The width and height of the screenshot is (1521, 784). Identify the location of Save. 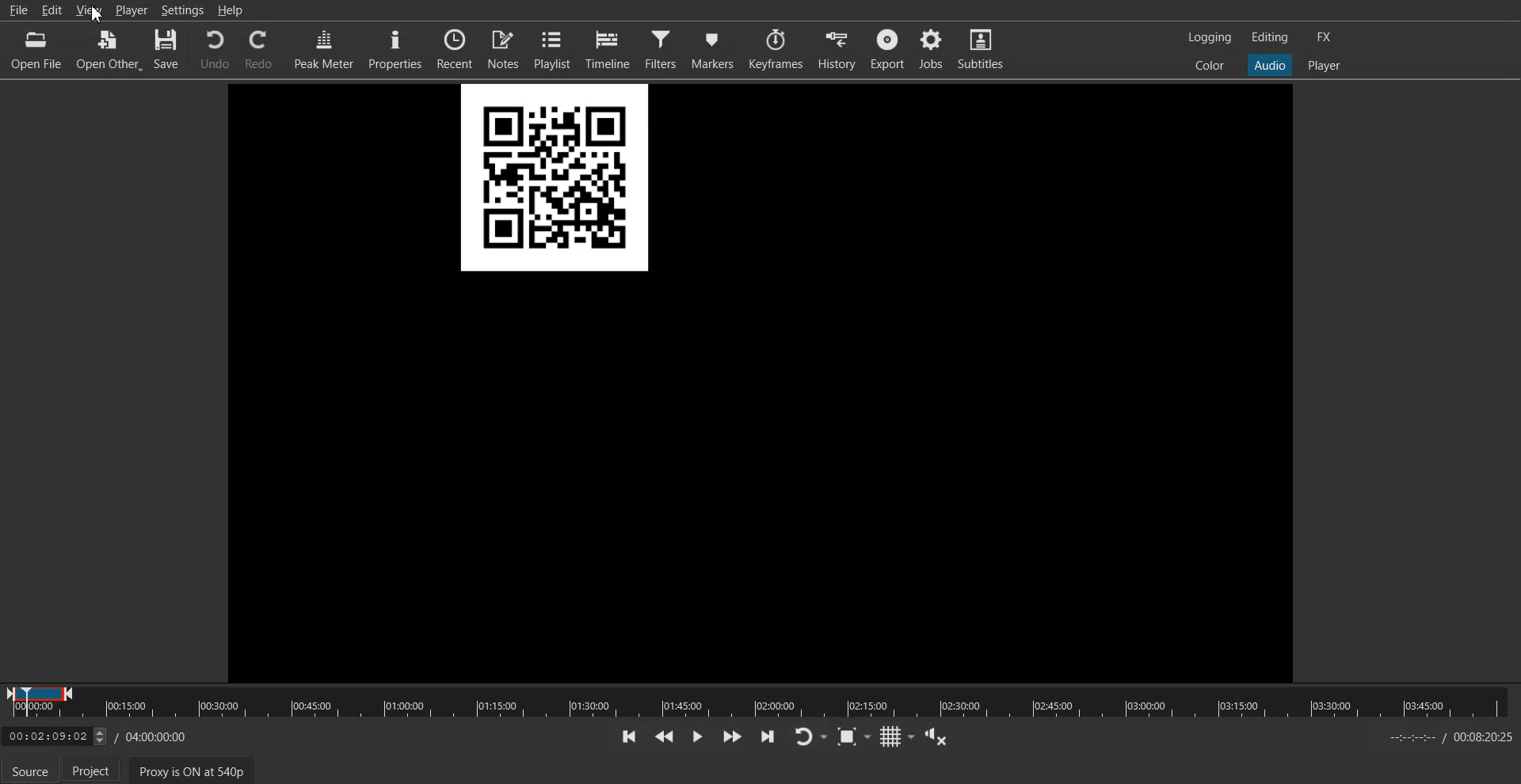
(169, 49).